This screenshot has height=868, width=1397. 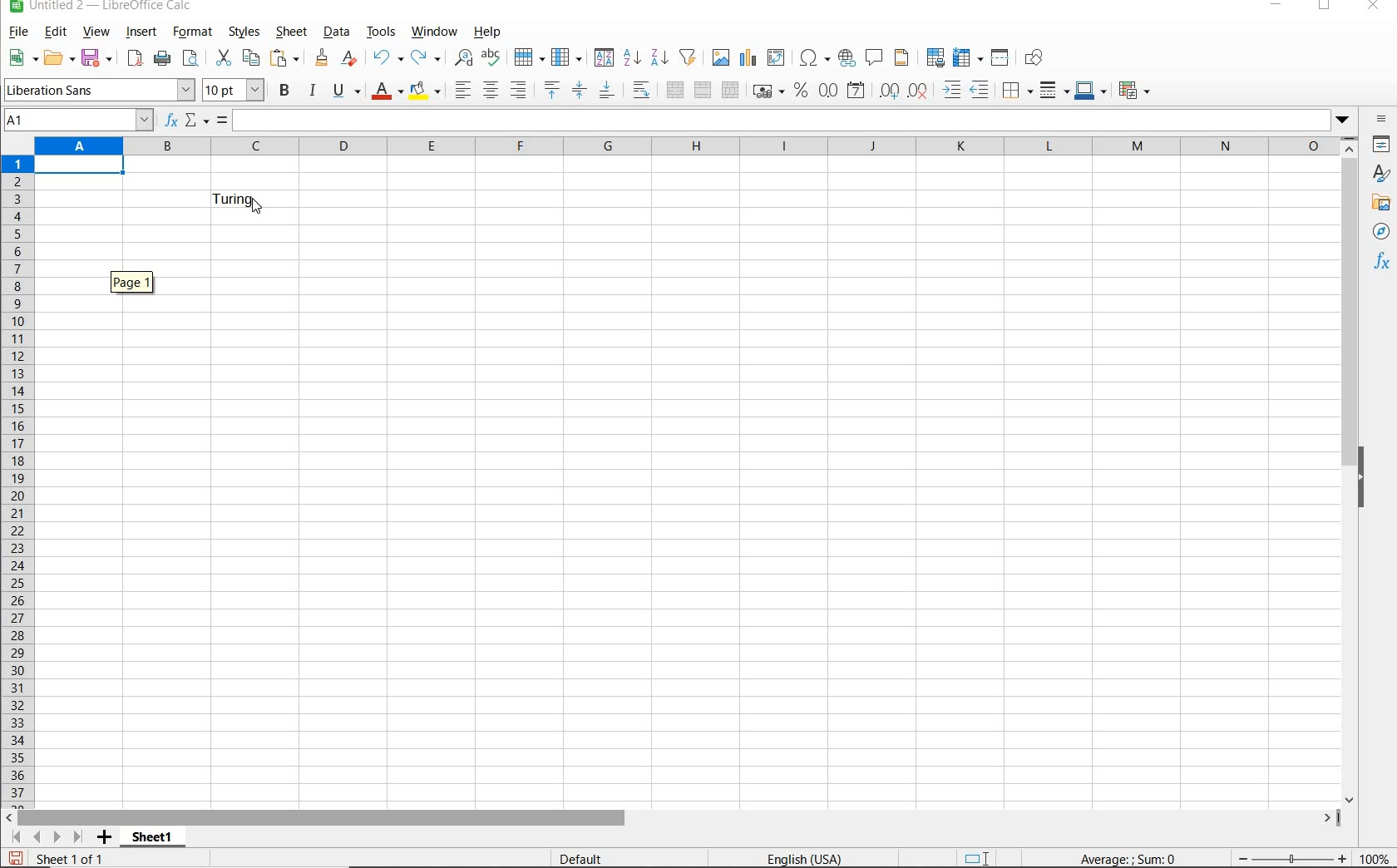 What do you see at coordinates (847, 60) in the screenshot?
I see `INSERT HYPERLINK` at bounding box center [847, 60].